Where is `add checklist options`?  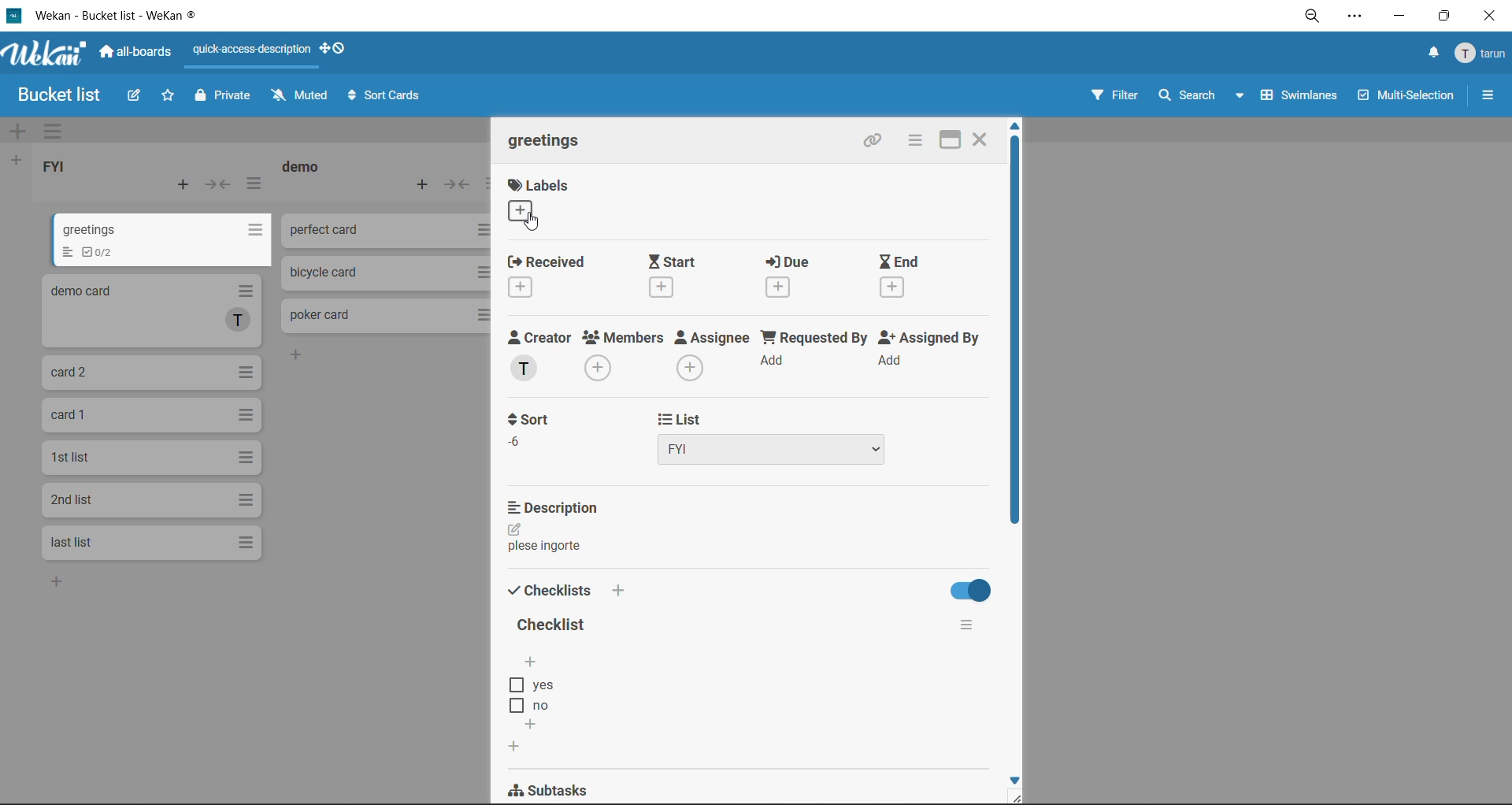
add checklist options is located at coordinates (534, 723).